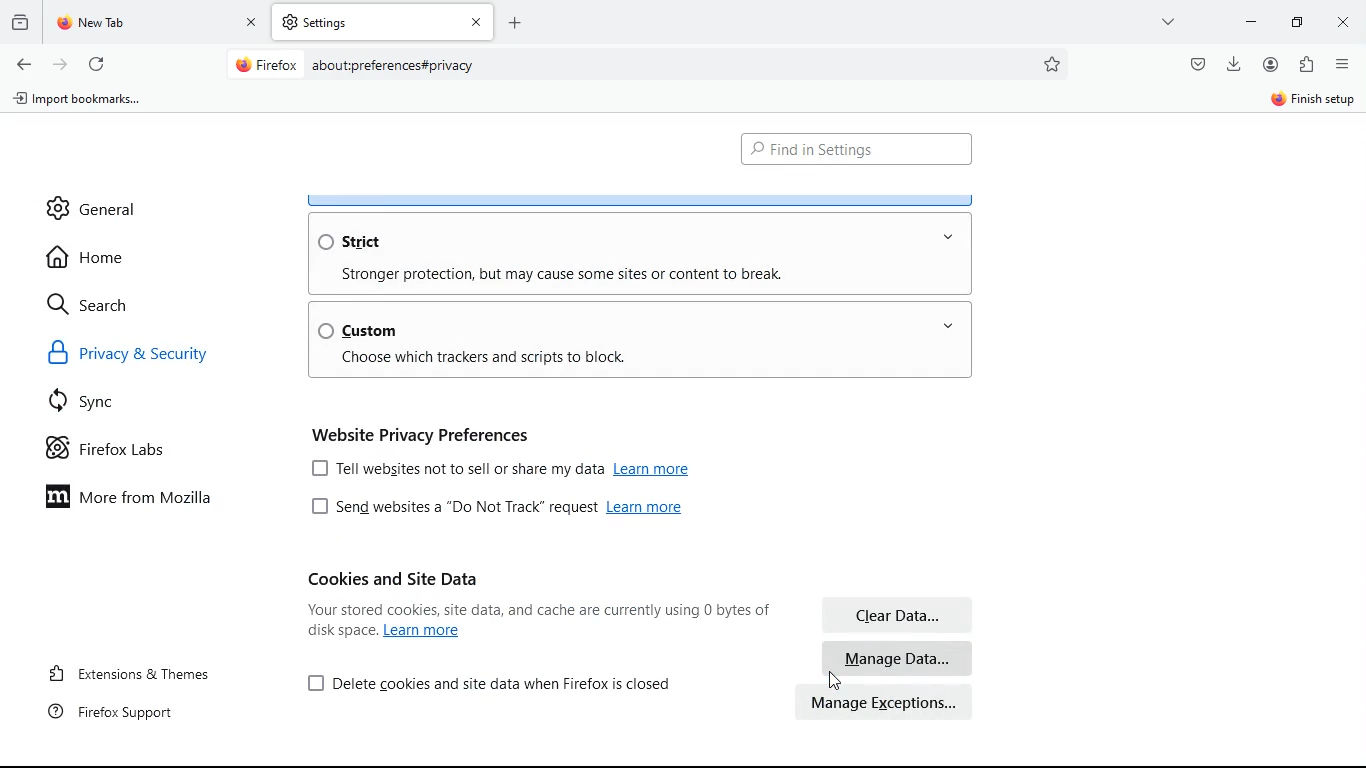 This screenshot has height=768, width=1366. I want to click on menu, so click(1343, 64).